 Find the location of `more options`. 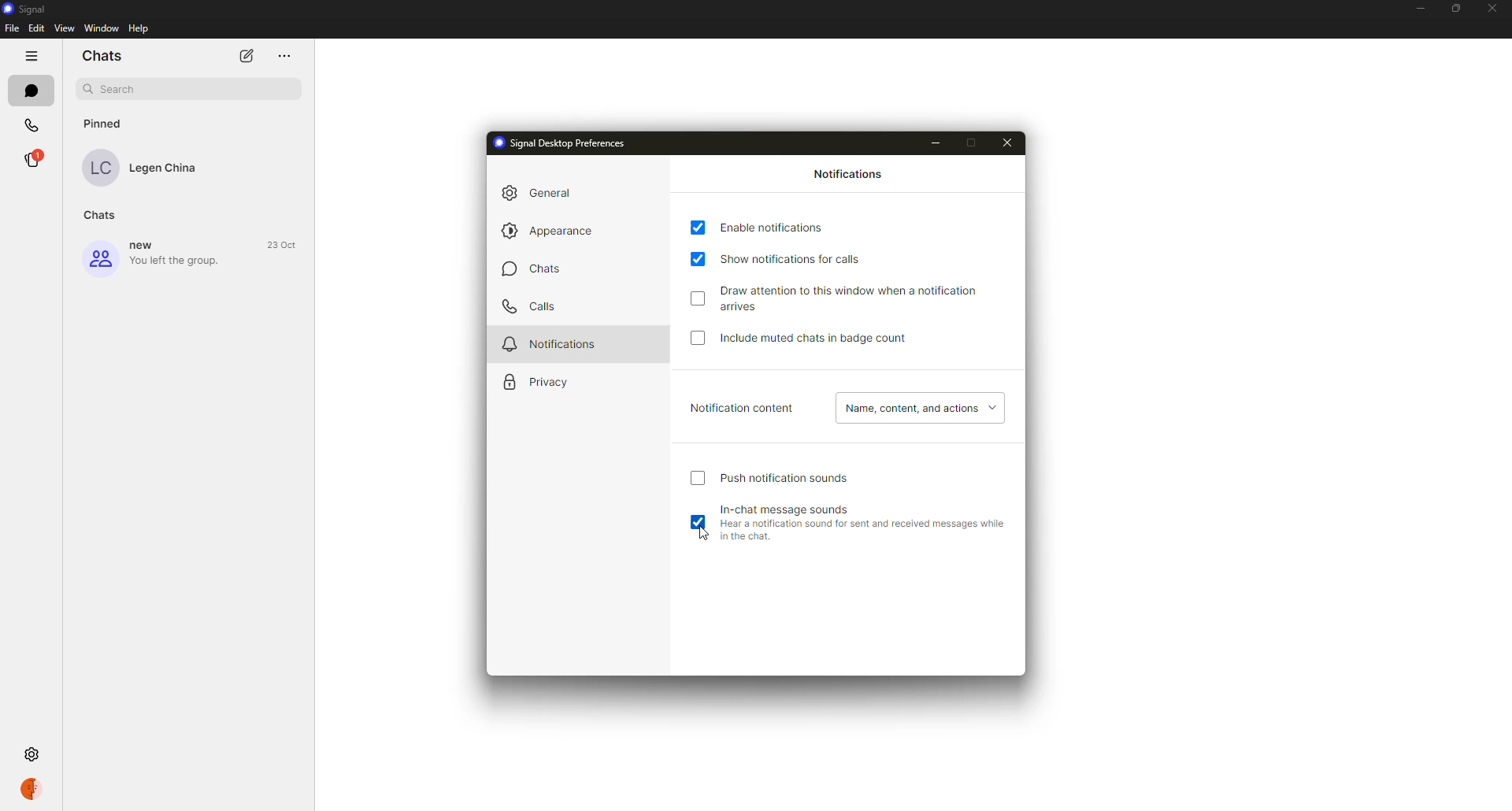

more options is located at coordinates (30, 56).